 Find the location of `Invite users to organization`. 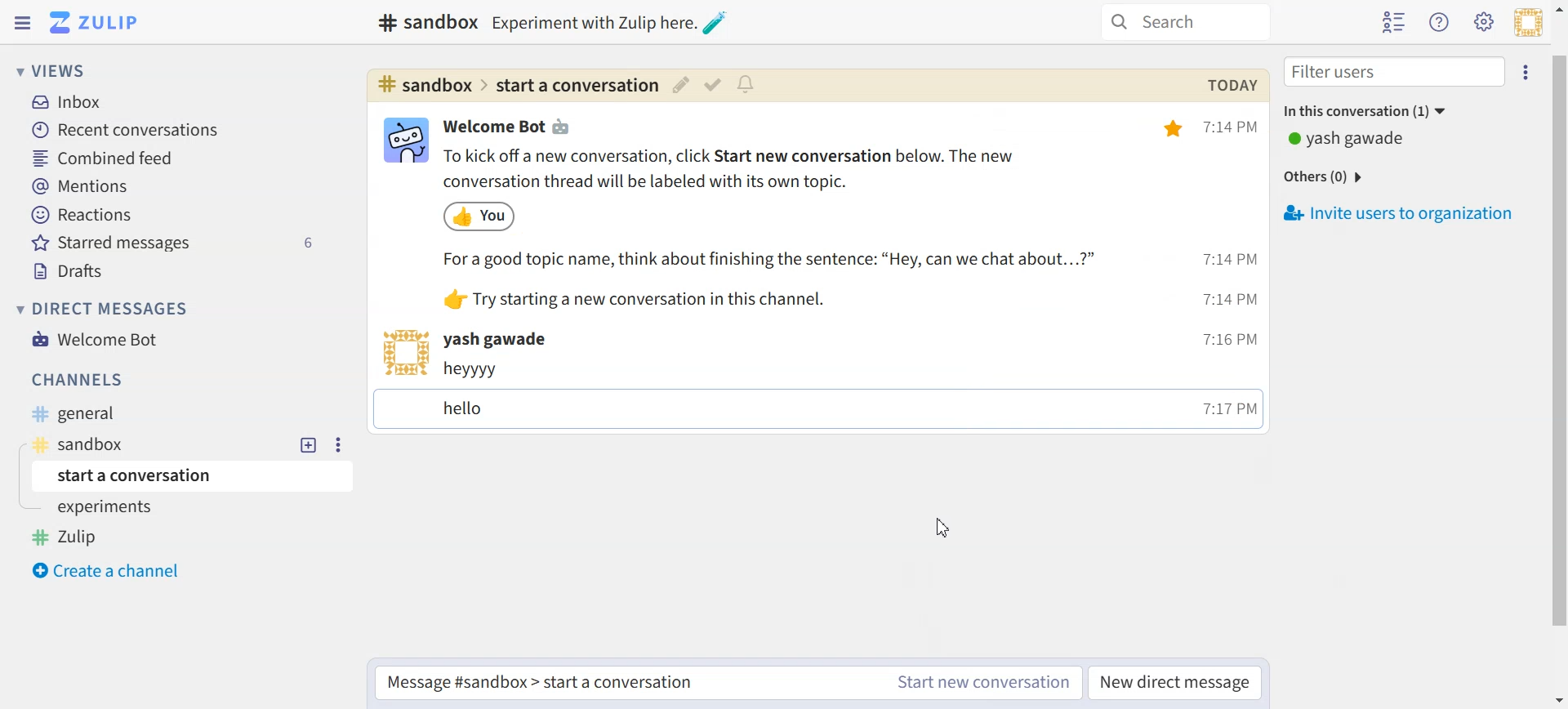

Invite users to organization is located at coordinates (1402, 214).